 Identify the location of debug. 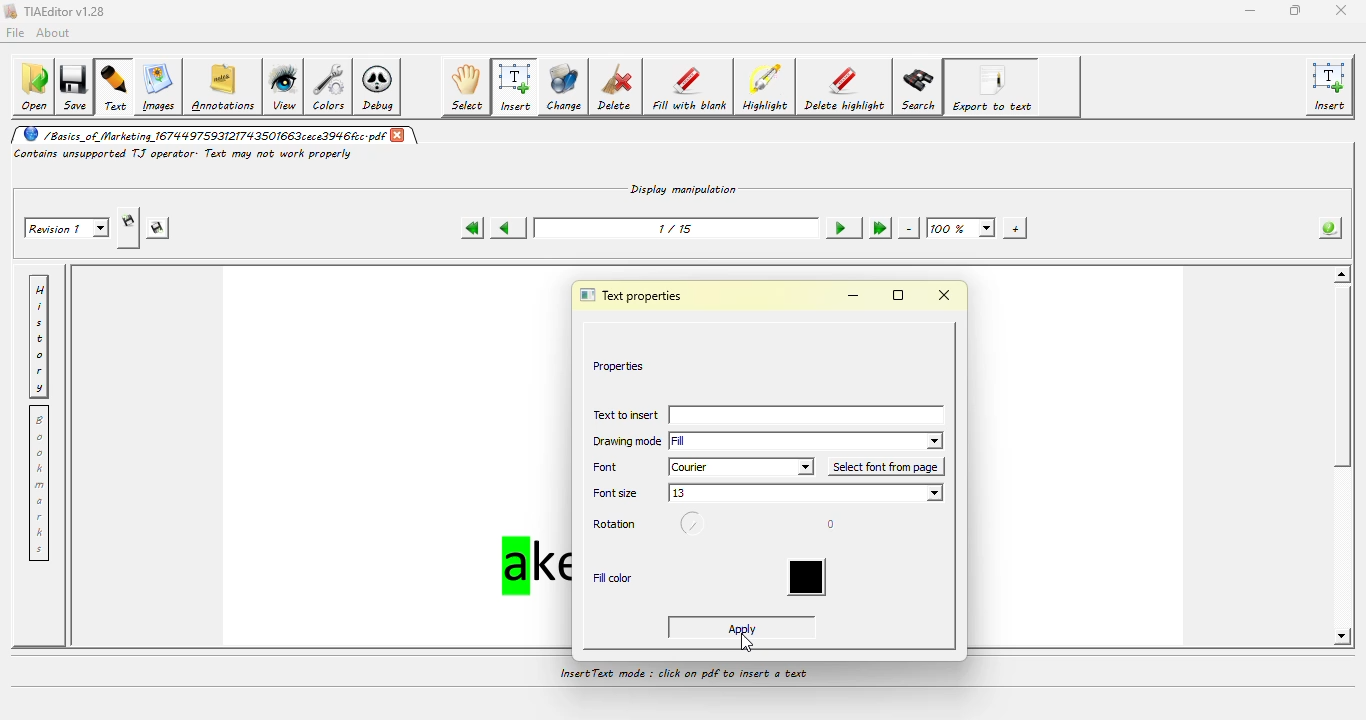
(381, 89).